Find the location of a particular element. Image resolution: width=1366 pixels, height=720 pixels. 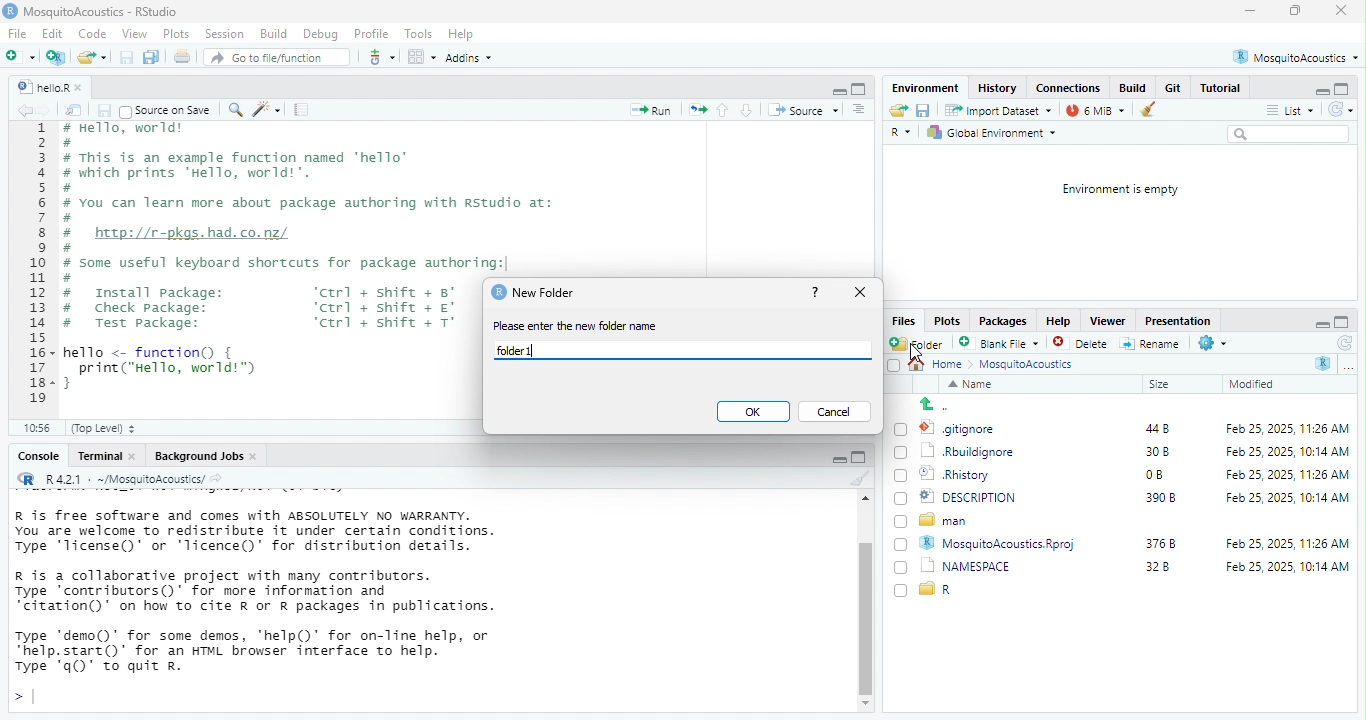

size is located at coordinates (1172, 385).